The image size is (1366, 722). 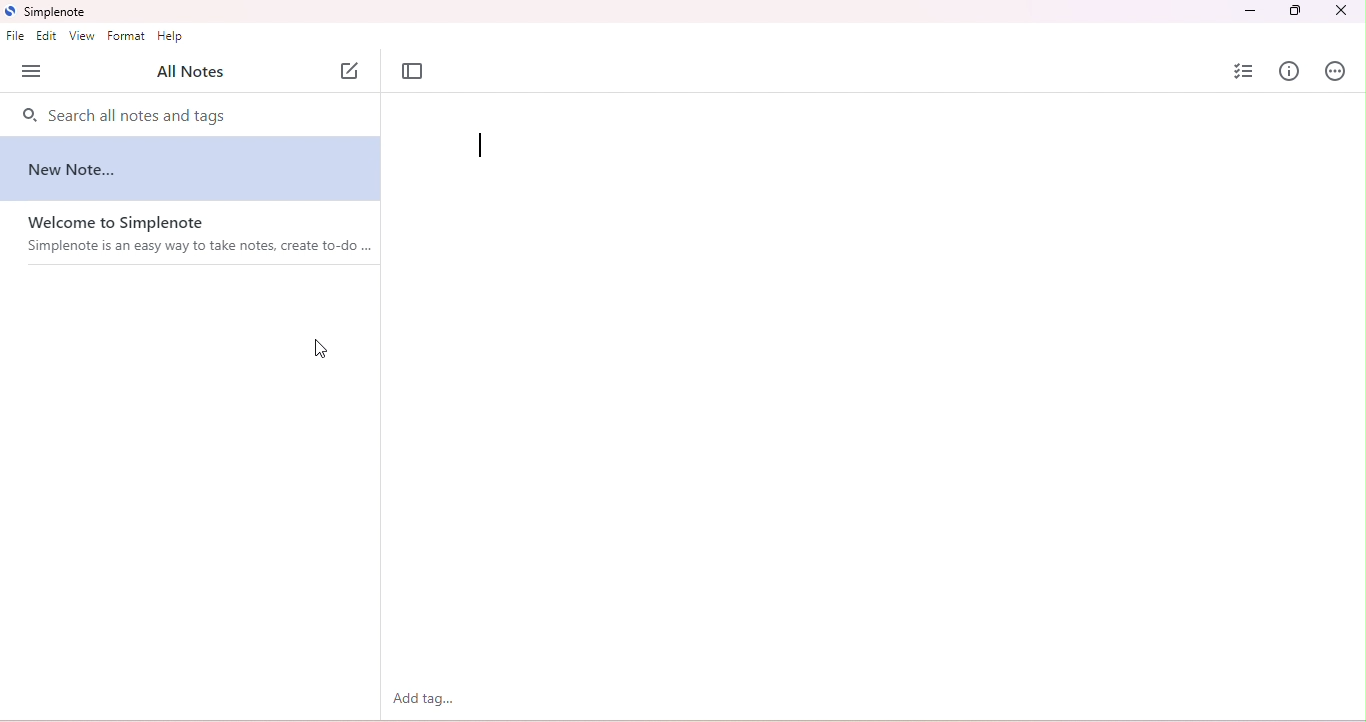 What do you see at coordinates (48, 12) in the screenshot?
I see `title` at bounding box center [48, 12].